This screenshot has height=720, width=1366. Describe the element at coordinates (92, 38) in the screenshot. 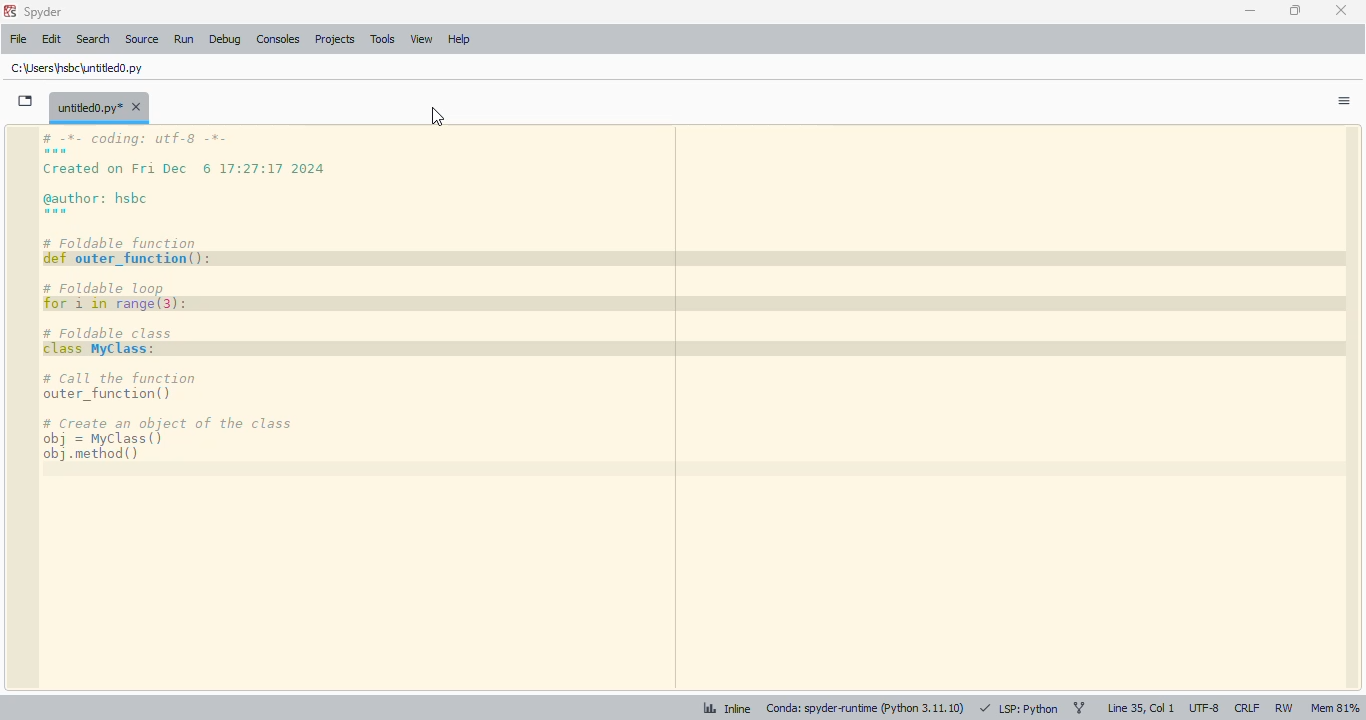

I see `search` at that location.